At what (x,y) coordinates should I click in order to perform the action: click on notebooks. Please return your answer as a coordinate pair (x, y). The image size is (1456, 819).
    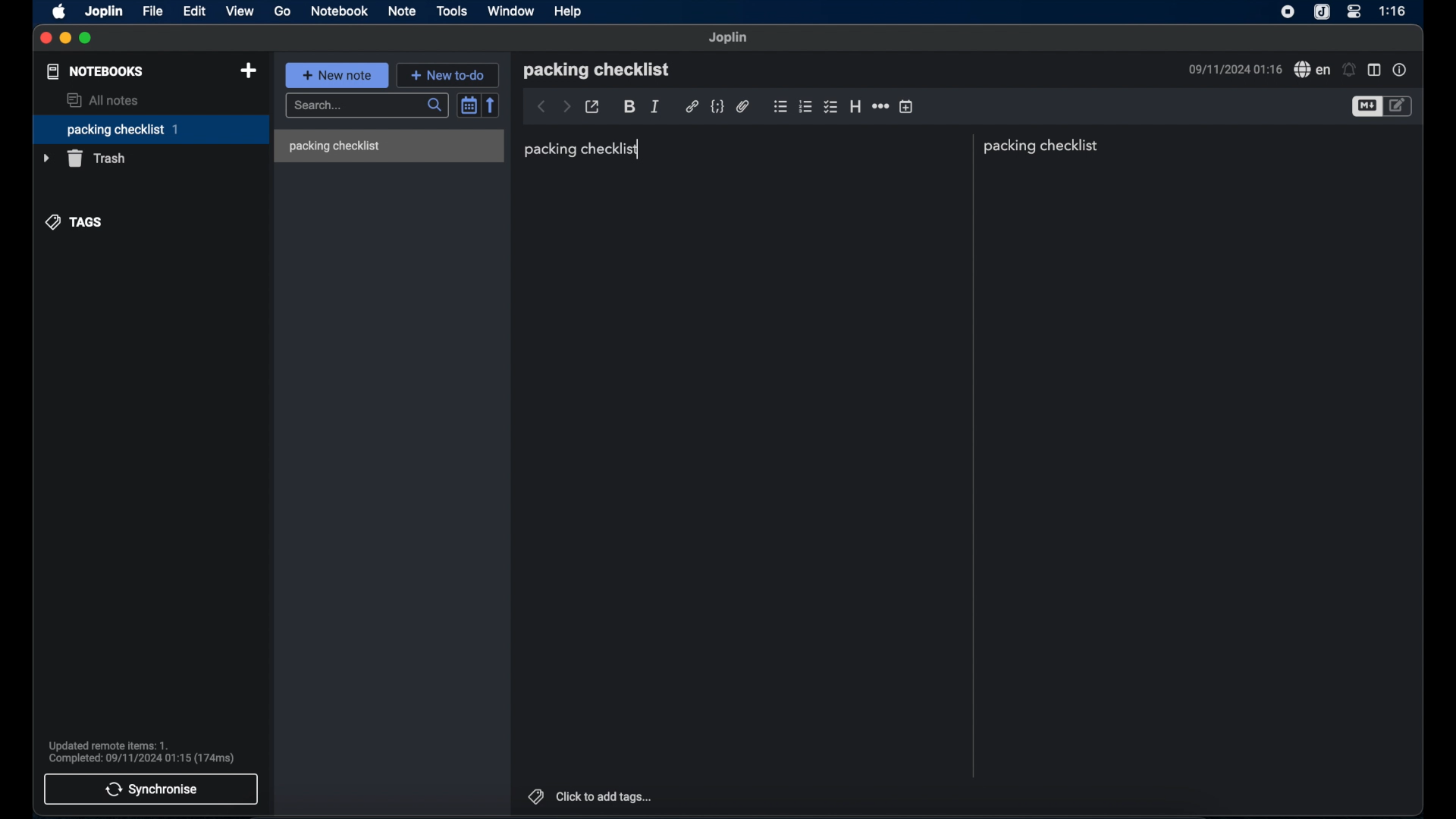
    Looking at the image, I should click on (95, 71).